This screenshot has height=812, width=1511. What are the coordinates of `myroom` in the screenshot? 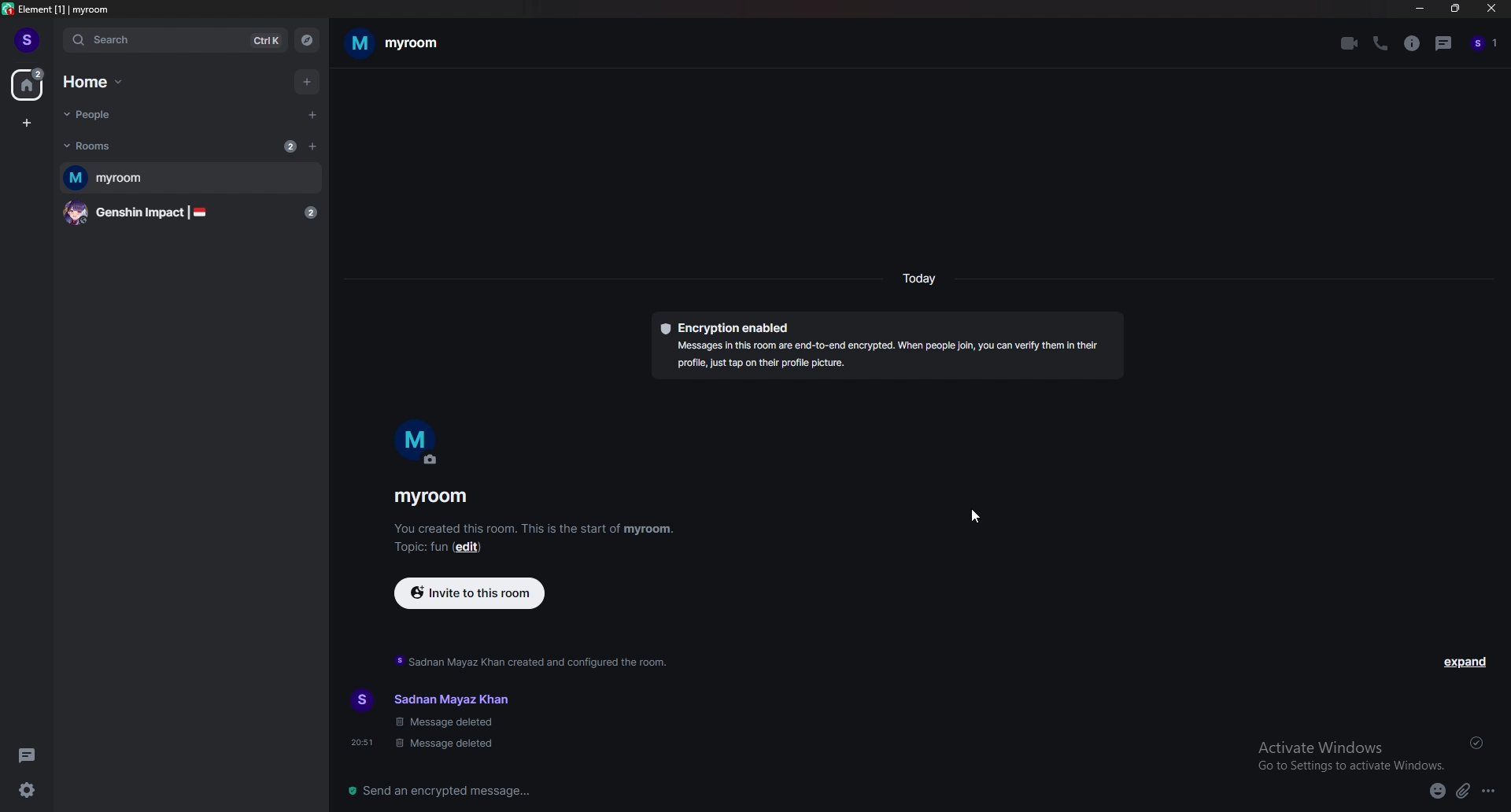 It's located at (190, 179).